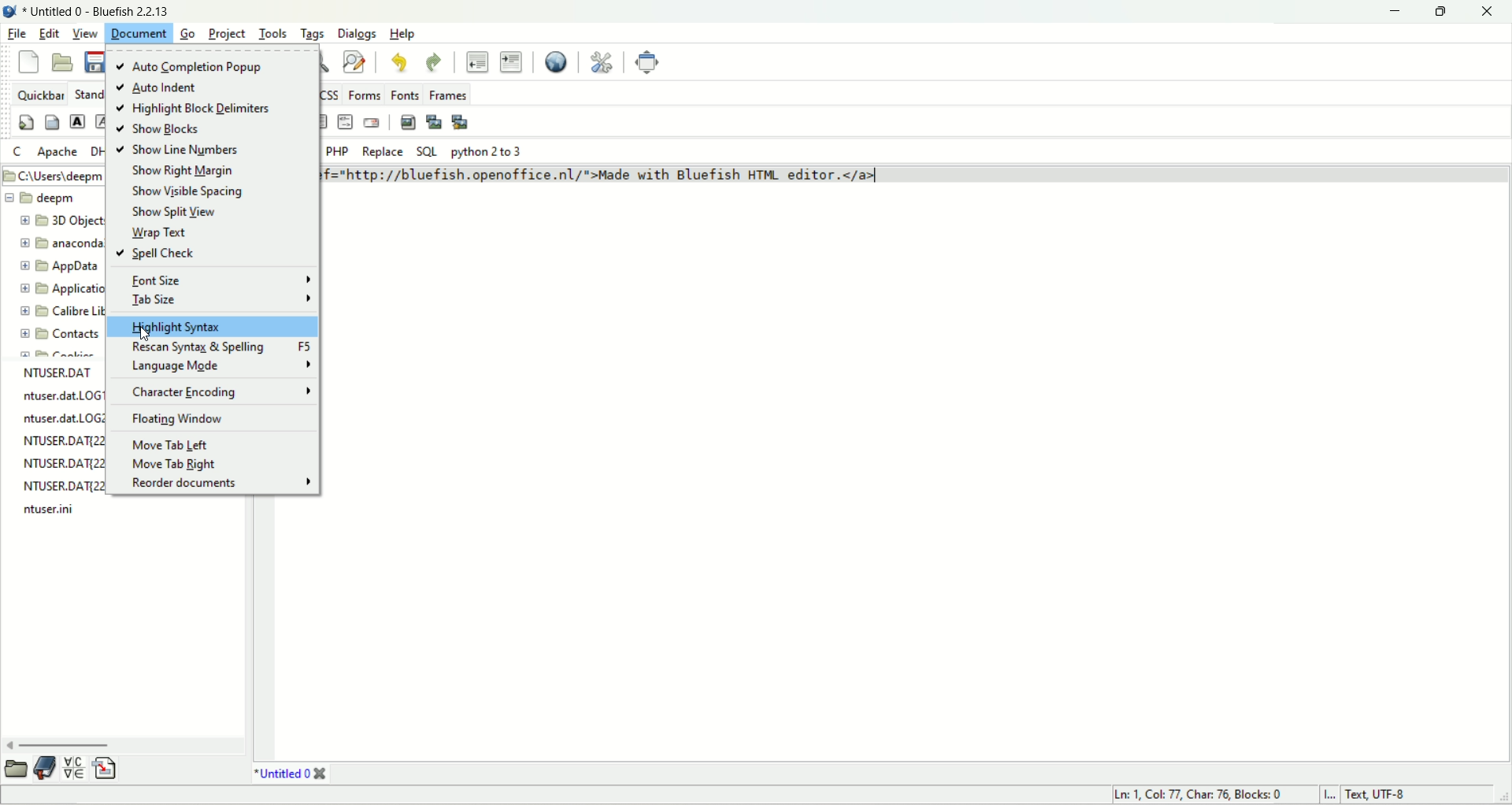 Image resolution: width=1512 pixels, height=805 pixels. Describe the element at coordinates (323, 61) in the screenshot. I see `show find bar` at that location.